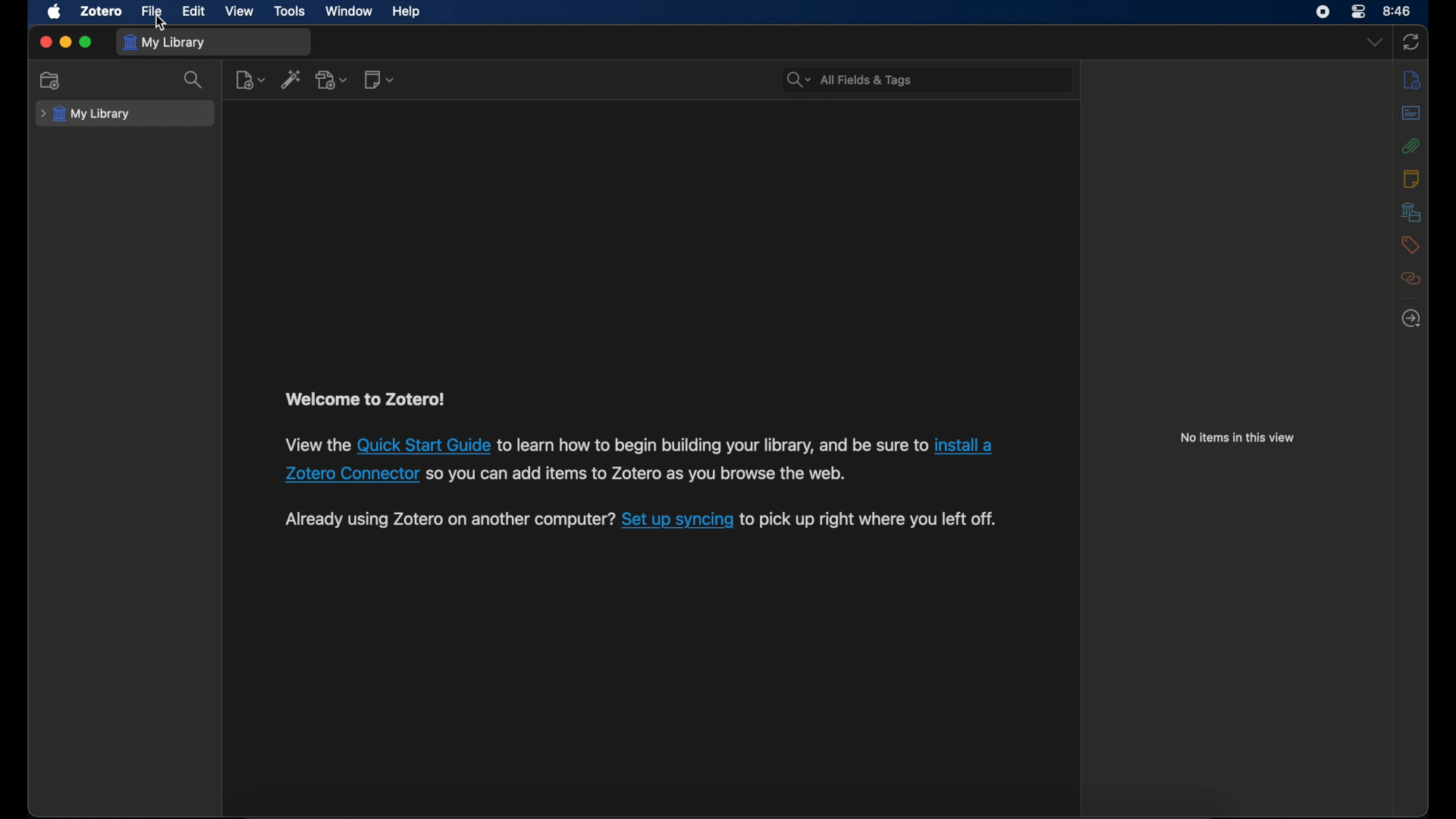 The width and height of the screenshot is (1456, 819). I want to click on cursor on file, so click(163, 23).